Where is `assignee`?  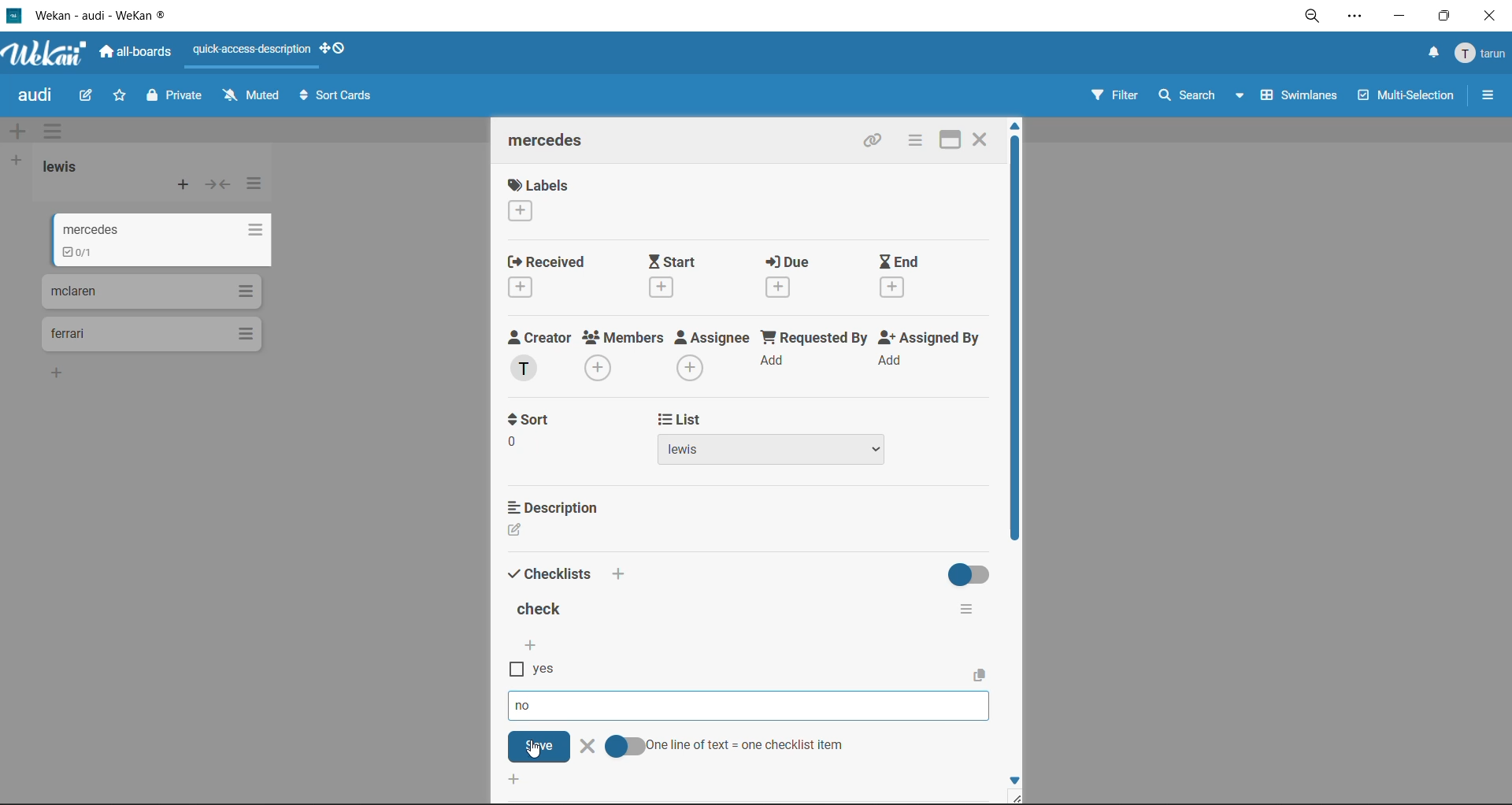
assignee is located at coordinates (717, 358).